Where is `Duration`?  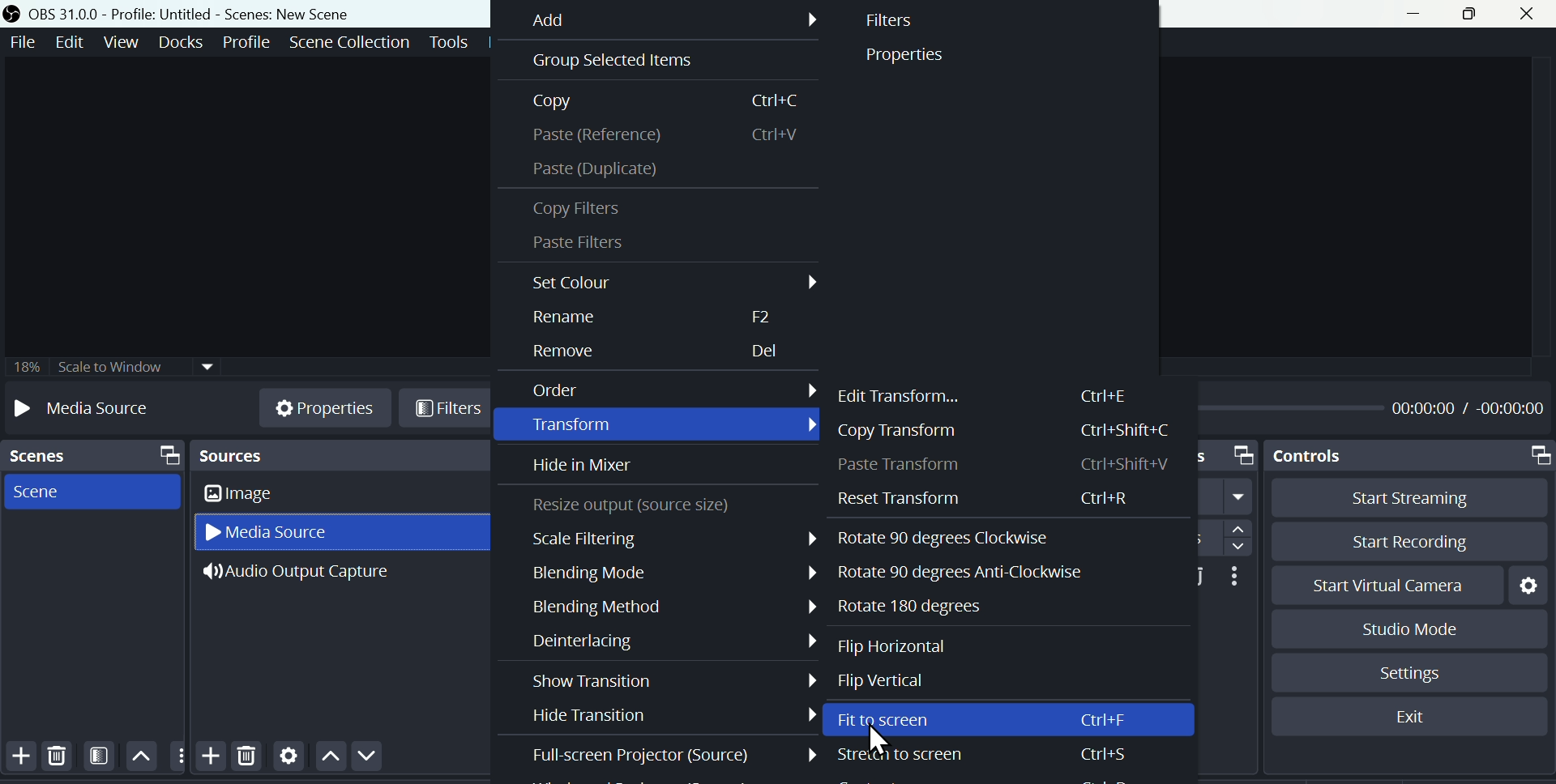
Duration is located at coordinates (1230, 535).